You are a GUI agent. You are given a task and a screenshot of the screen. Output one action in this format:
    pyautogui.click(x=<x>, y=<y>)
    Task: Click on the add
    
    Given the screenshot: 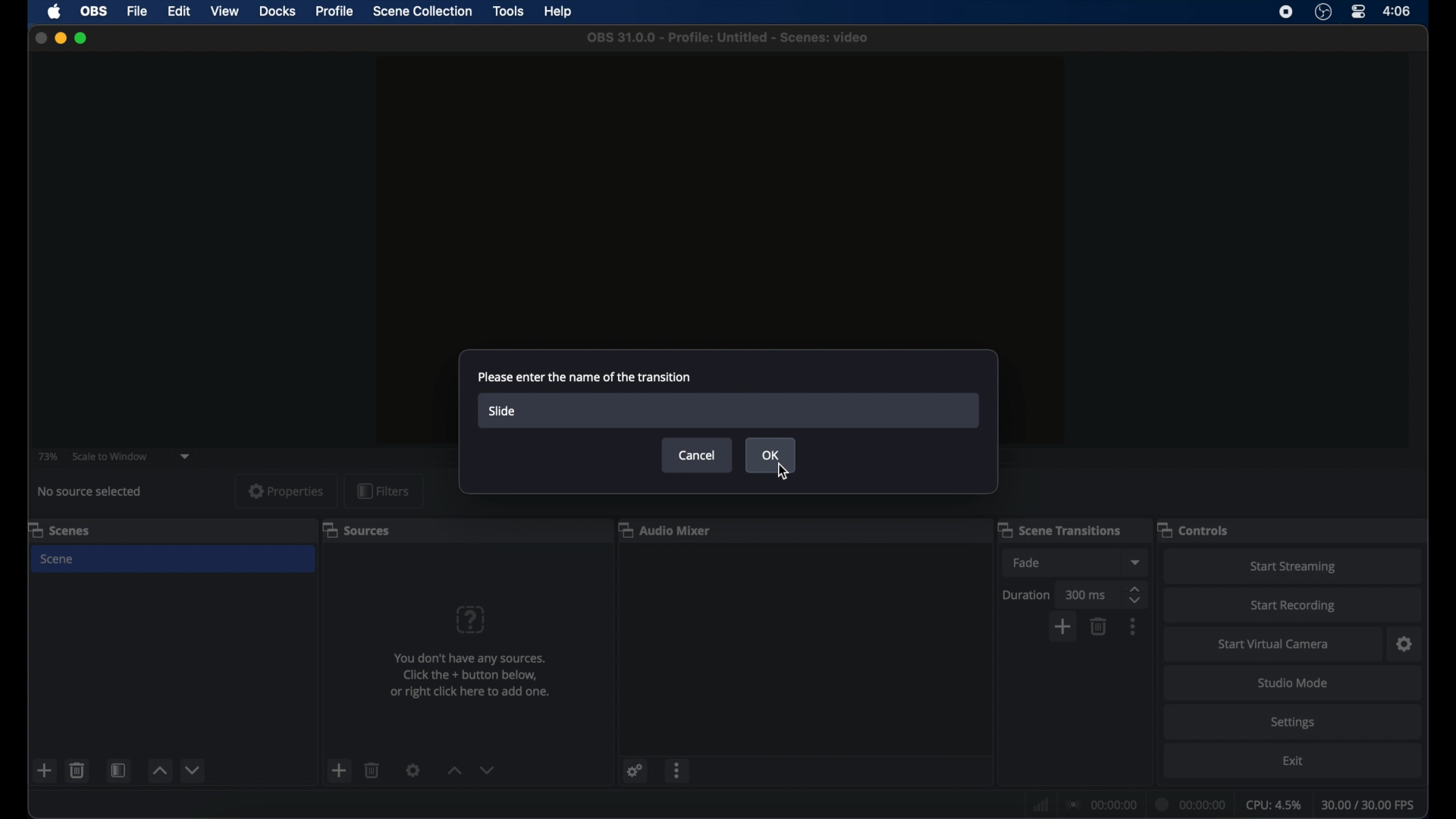 What is the action you would take?
    pyautogui.click(x=338, y=770)
    